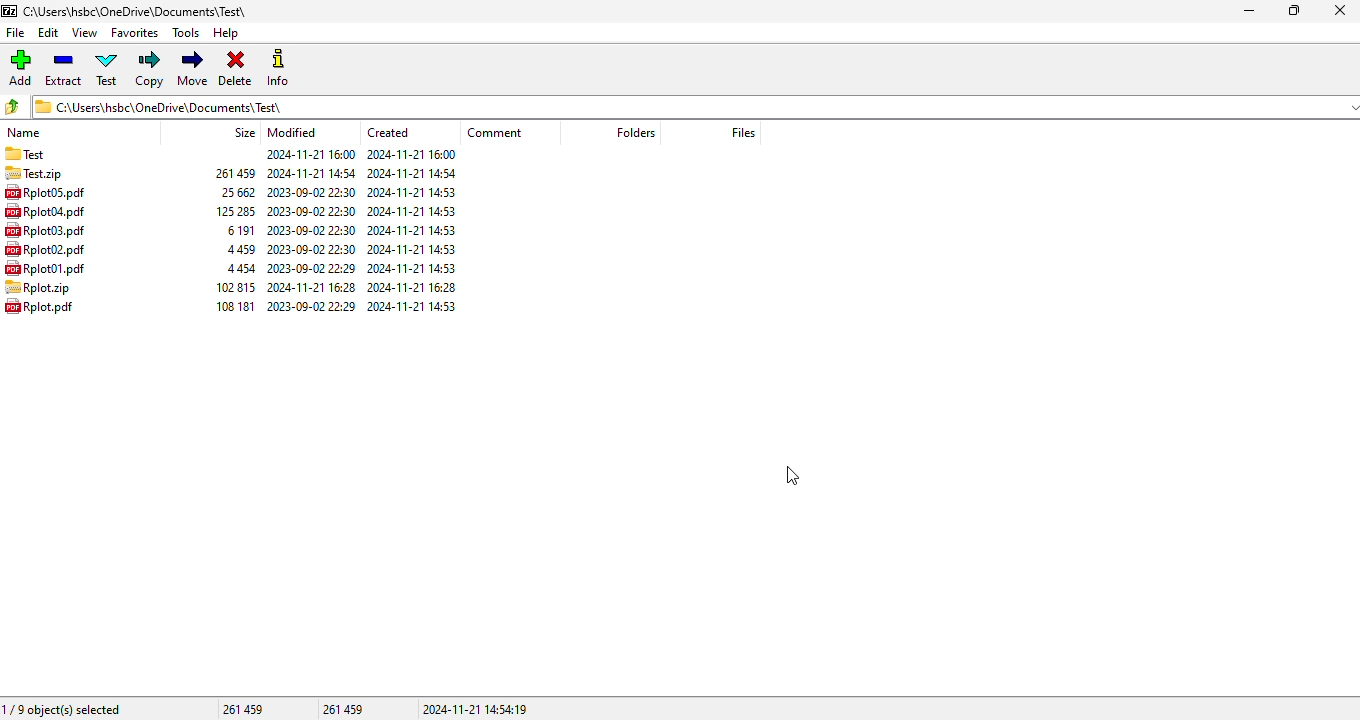 The image size is (1360, 720). What do you see at coordinates (312, 212) in the screenshot?
I see `modified date & time` at bounding box center [312, 212].